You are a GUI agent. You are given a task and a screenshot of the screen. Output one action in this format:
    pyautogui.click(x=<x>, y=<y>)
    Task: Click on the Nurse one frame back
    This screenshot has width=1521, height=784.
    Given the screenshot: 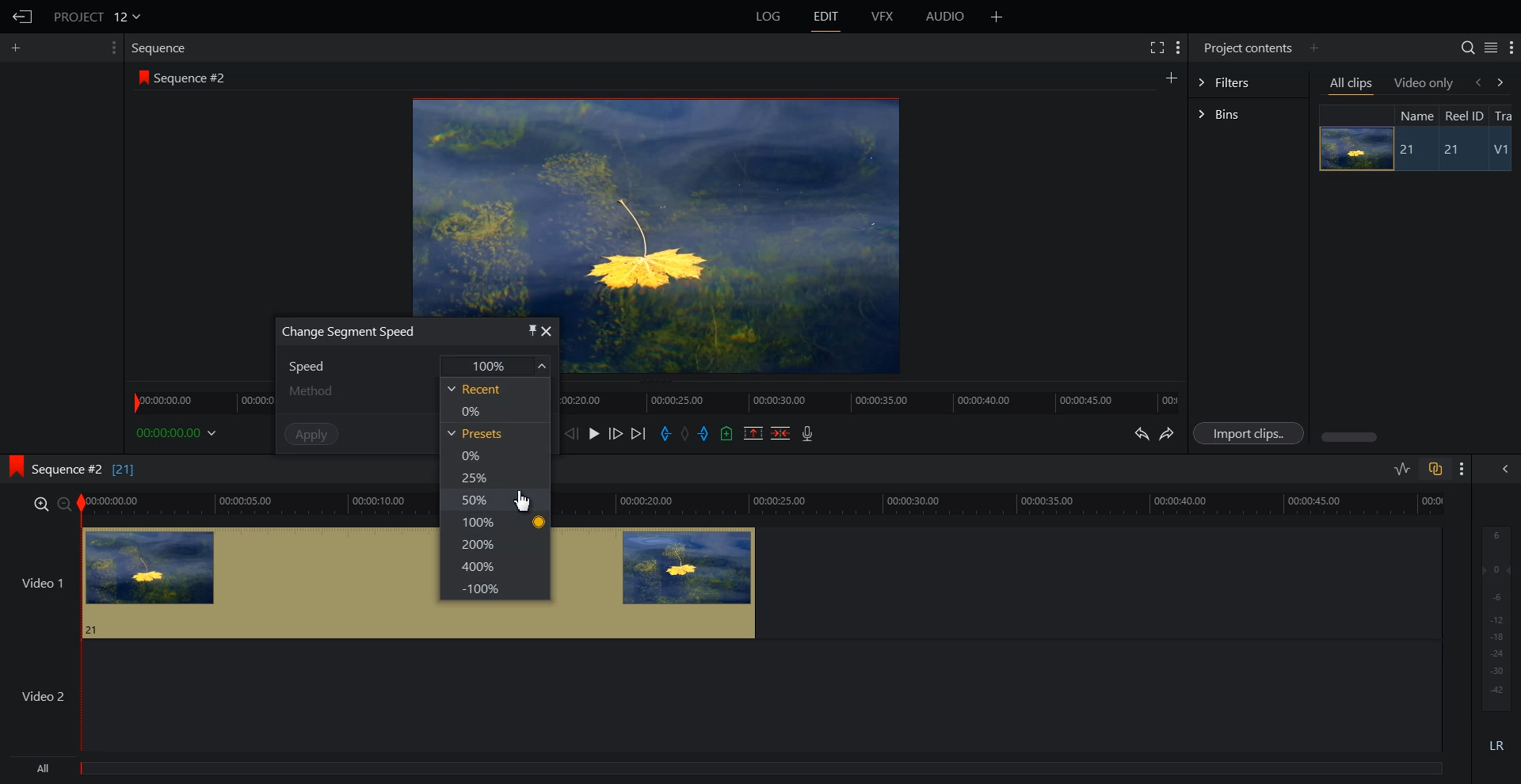 What is the action you would take?
    pyautogui.click(x=572, y=433)
    